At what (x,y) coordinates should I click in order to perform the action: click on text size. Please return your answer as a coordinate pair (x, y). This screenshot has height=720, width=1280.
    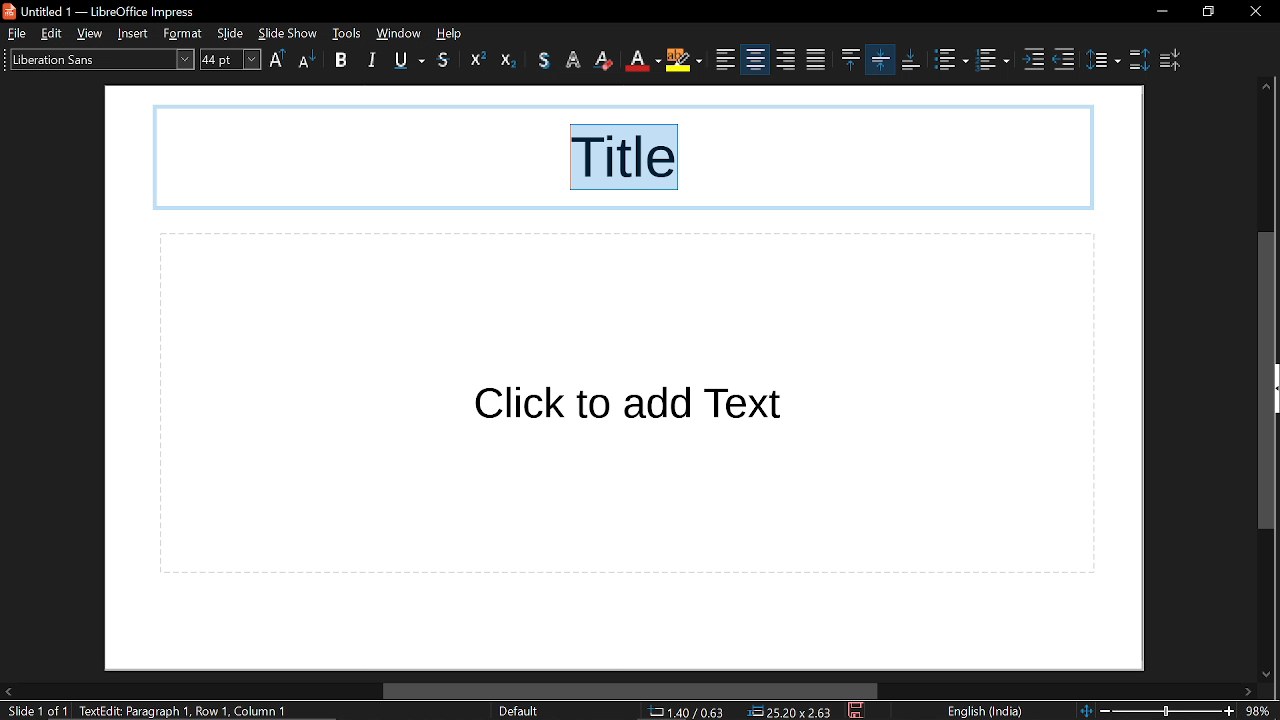
    Looking at the image, I should click on (230, 59).